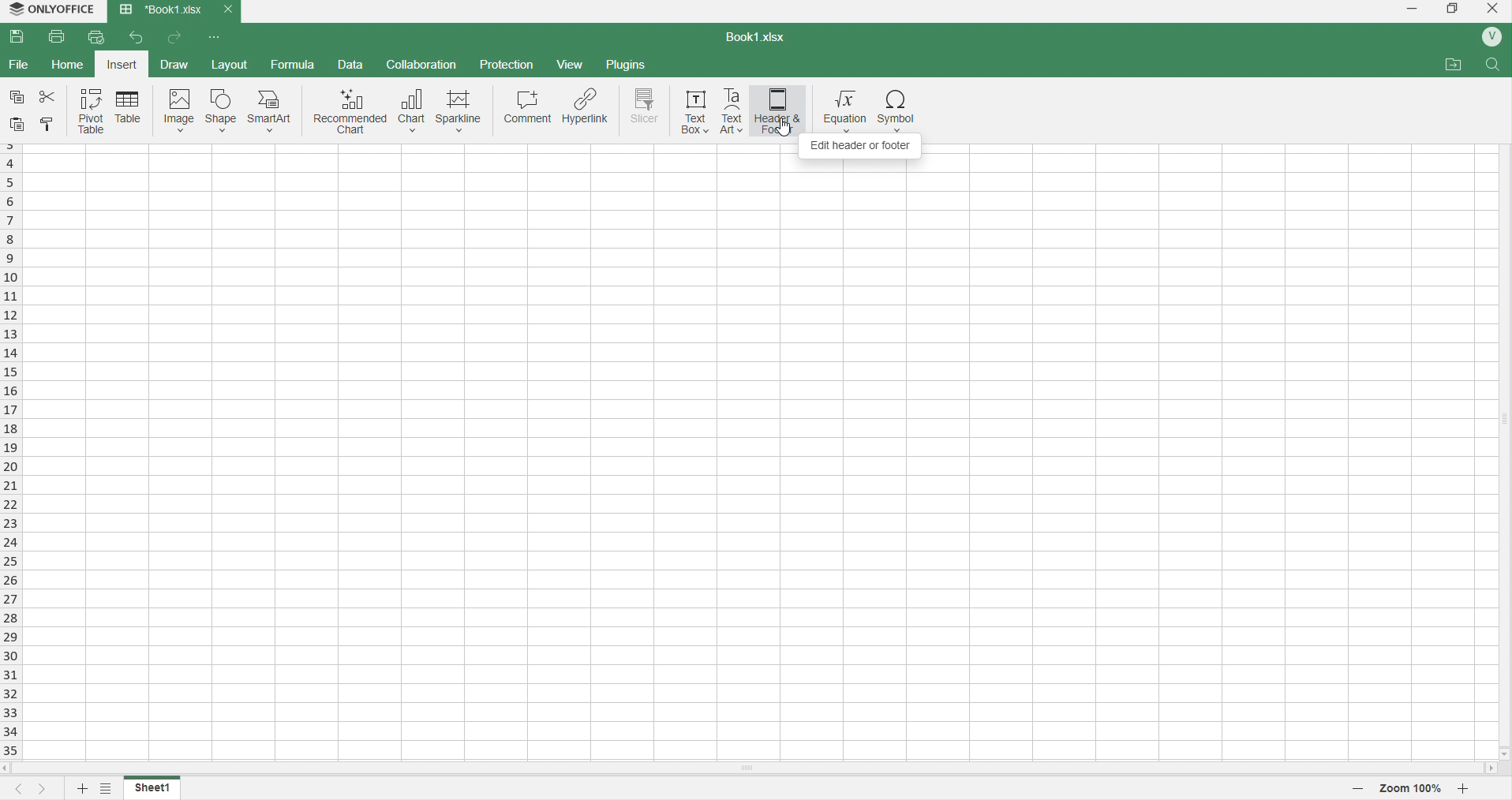 The width and height of the screenshot is (1512, 800). What do you see at coordinates (88, 112) in the screenshot?
I see `pivot table` at bounding box center [88, 112].